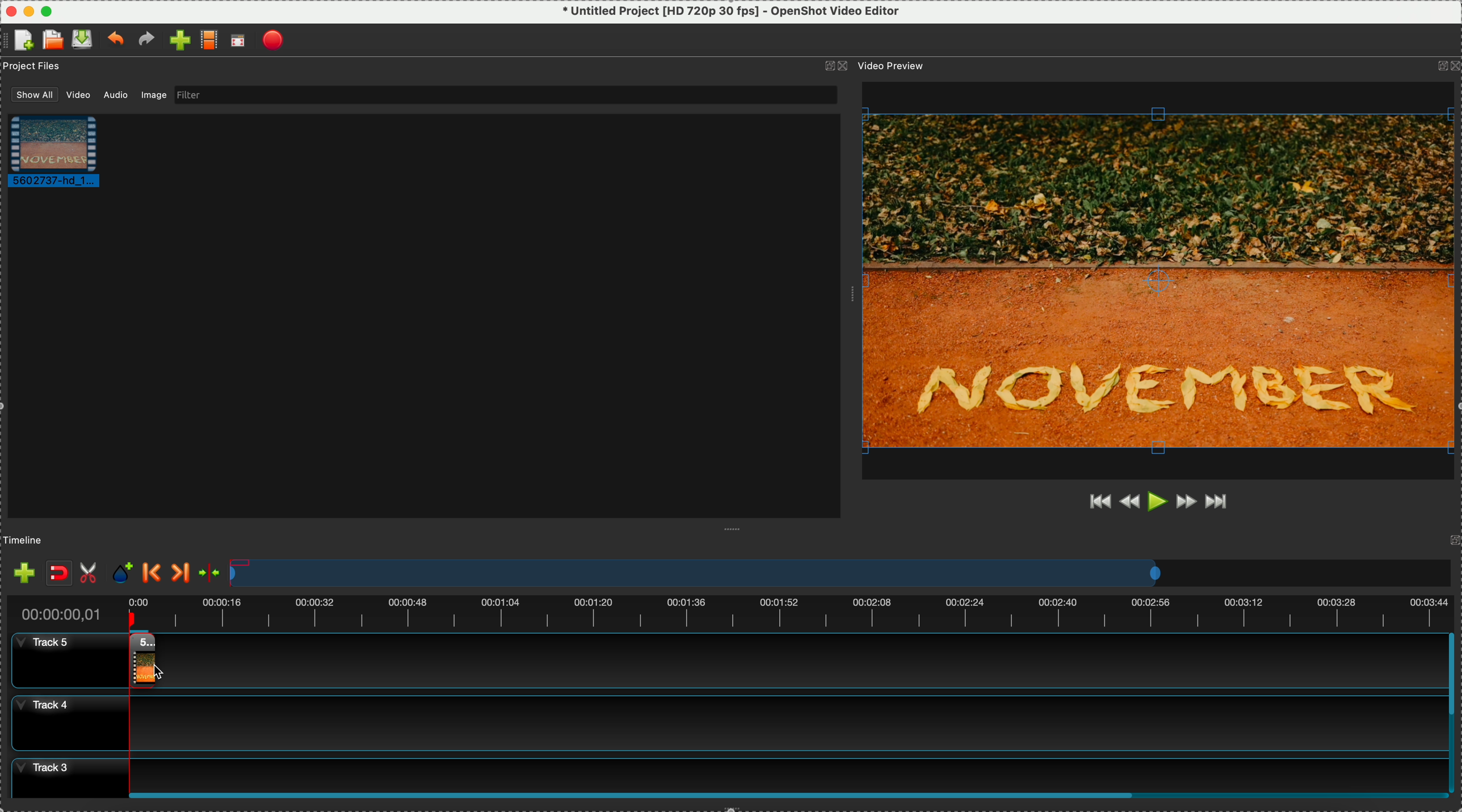  What do you see at coordinates (52, 40) in the screenshot?
I see `open a recent file` at bounding box center [52, 40].